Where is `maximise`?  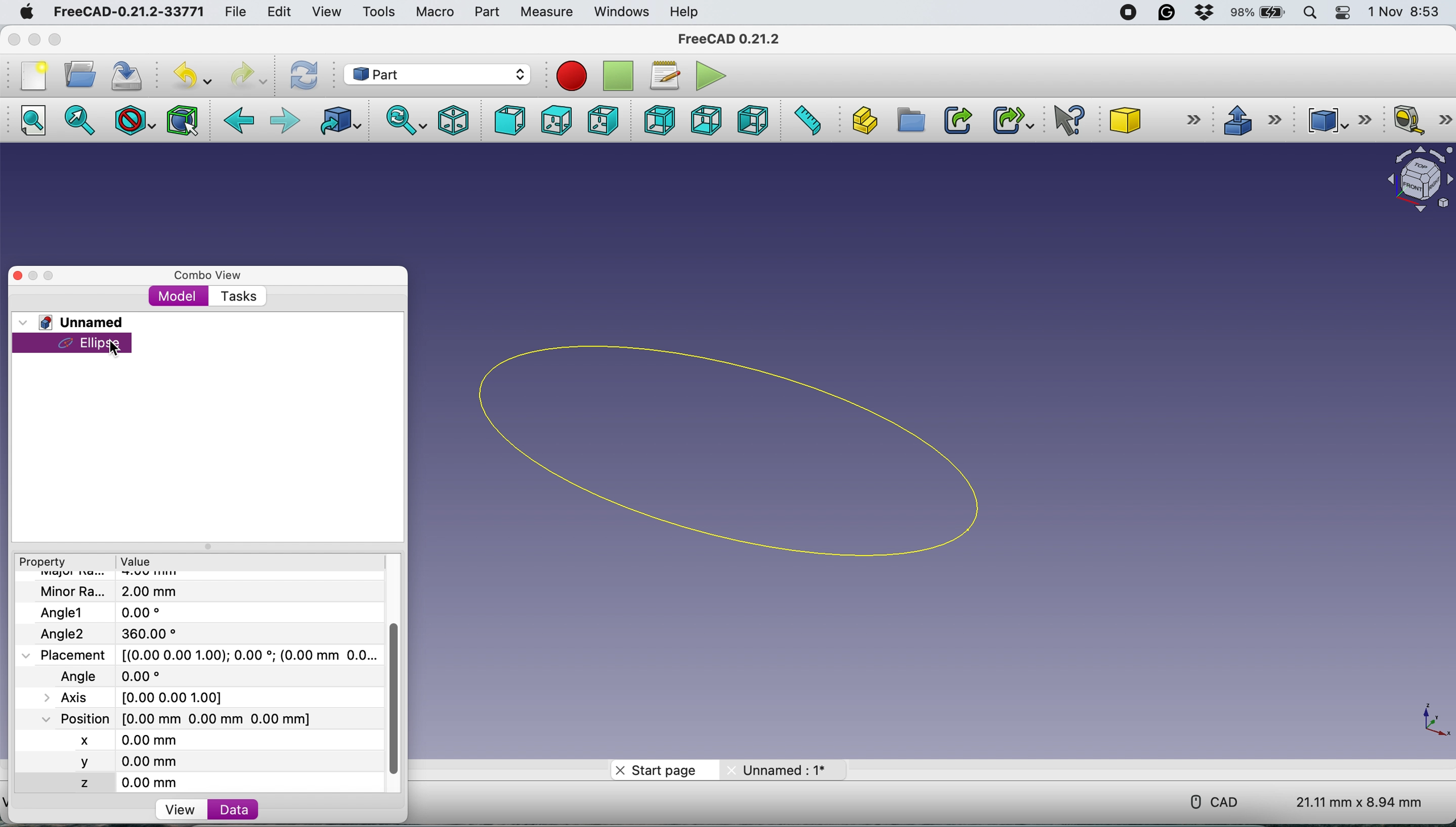 maximise is located at coordinates (53, 40).